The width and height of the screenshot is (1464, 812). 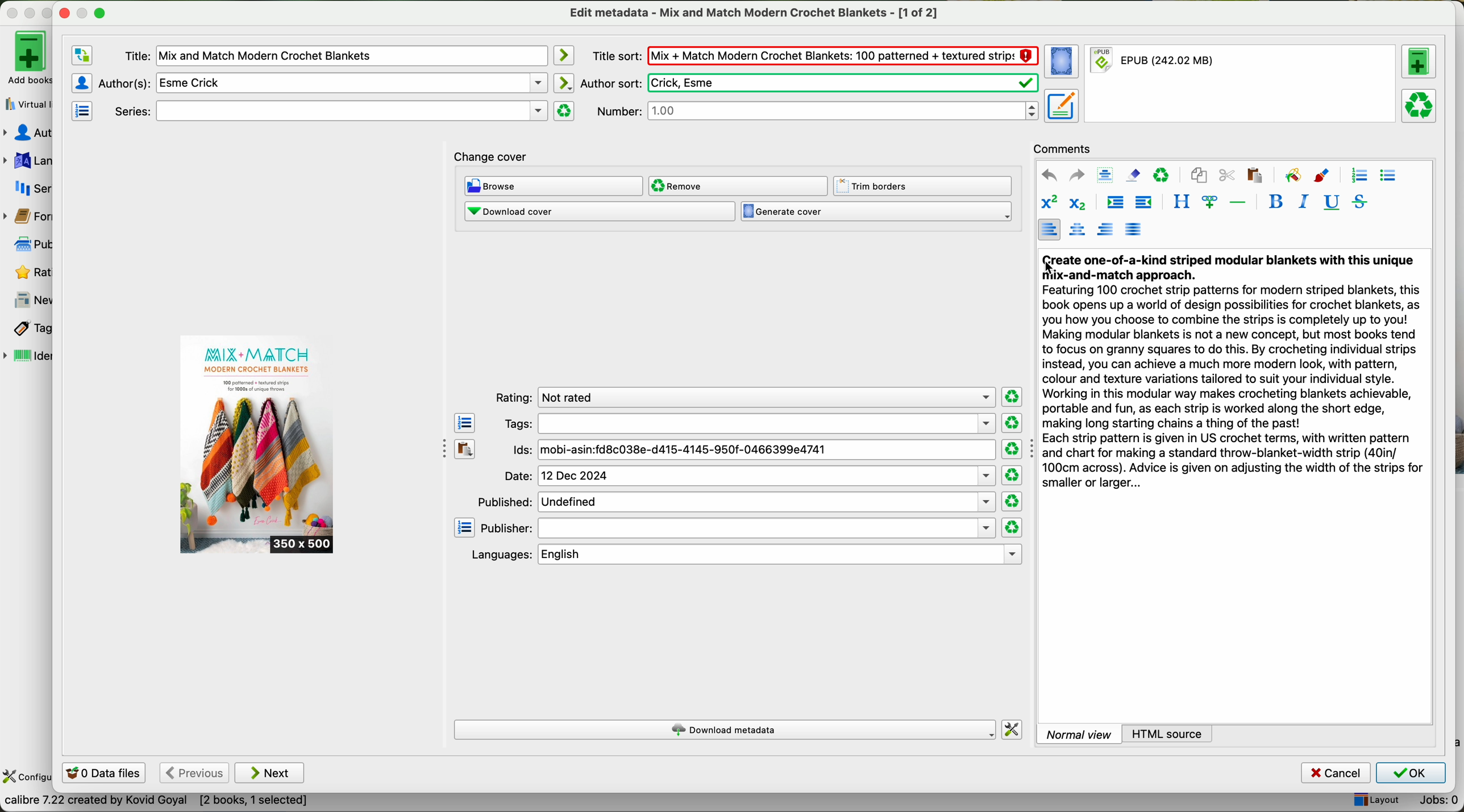 I want to click on ordered list, so click(x=1358, y=176).